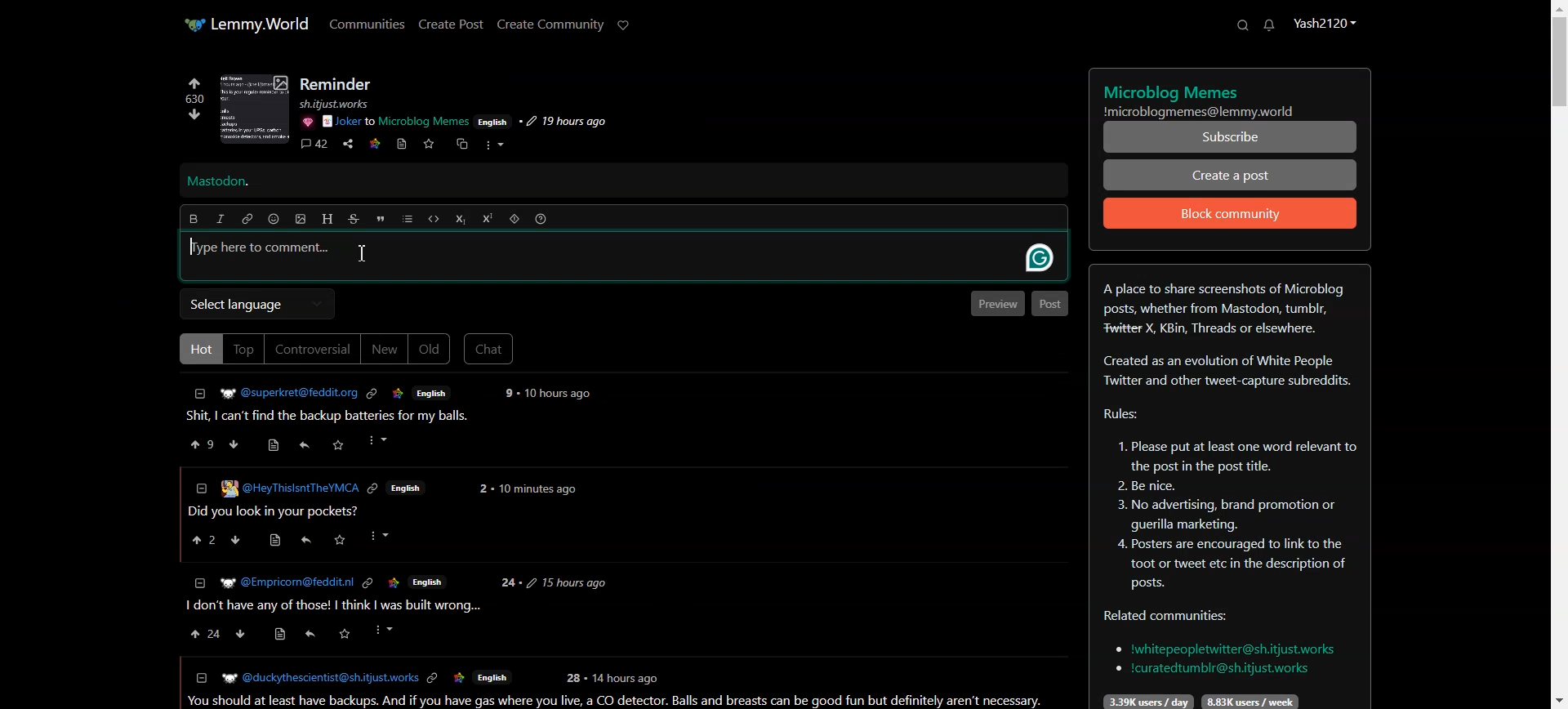  I want to click on , so click(385, 630).